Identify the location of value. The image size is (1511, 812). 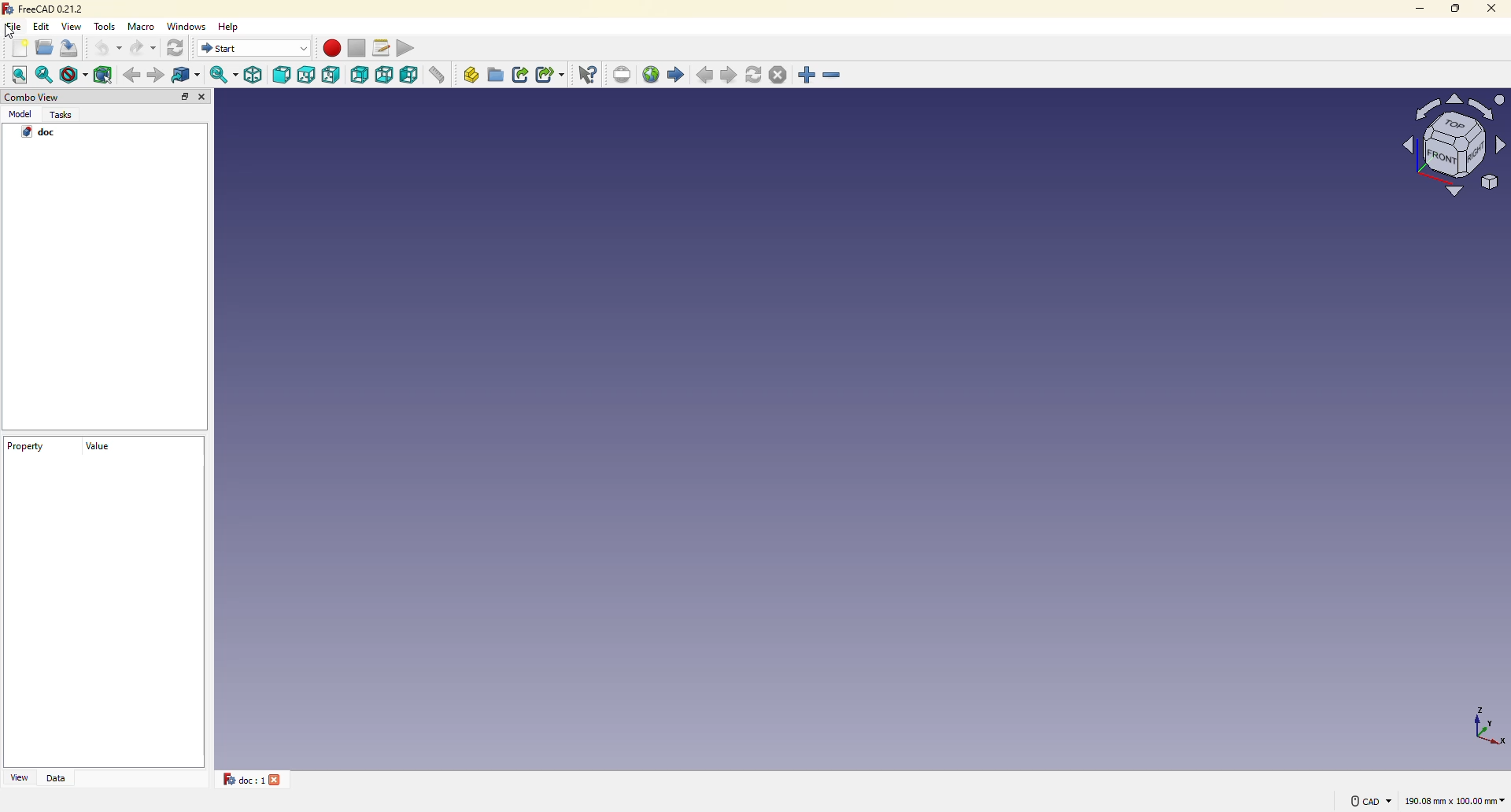
(95, 452).